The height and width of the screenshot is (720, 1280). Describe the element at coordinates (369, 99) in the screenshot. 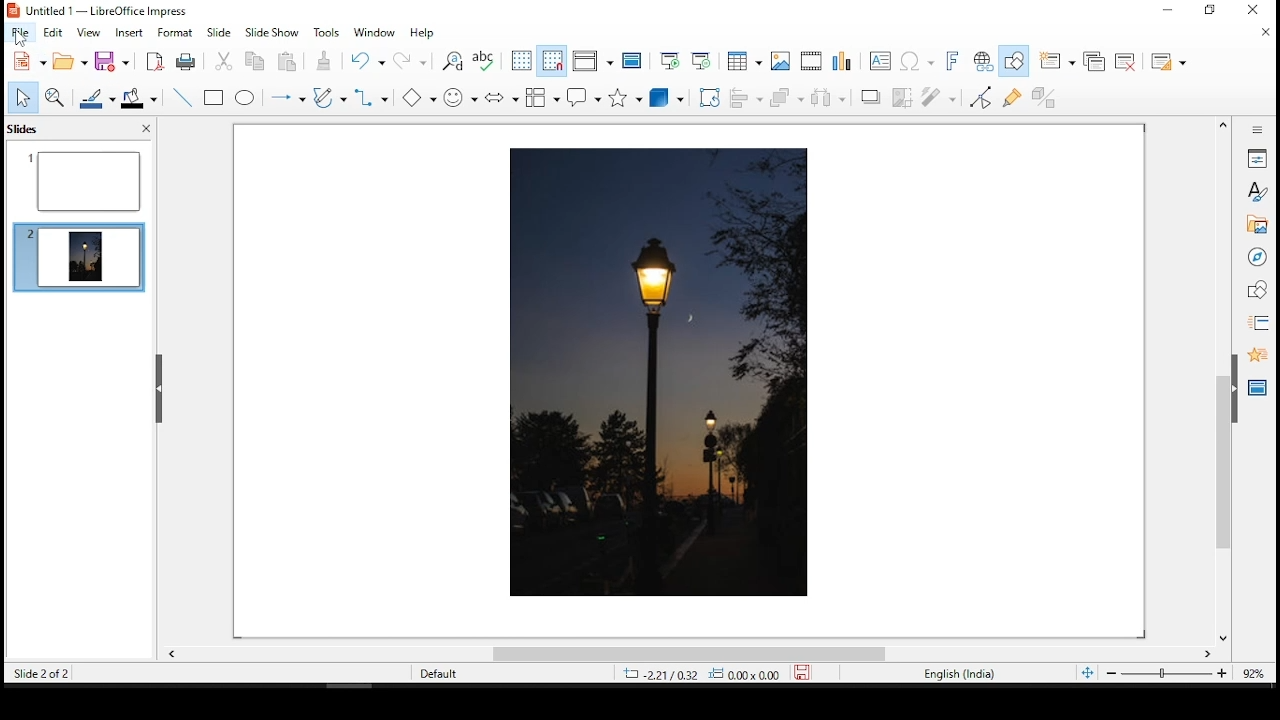

I see `connectors` at that location.